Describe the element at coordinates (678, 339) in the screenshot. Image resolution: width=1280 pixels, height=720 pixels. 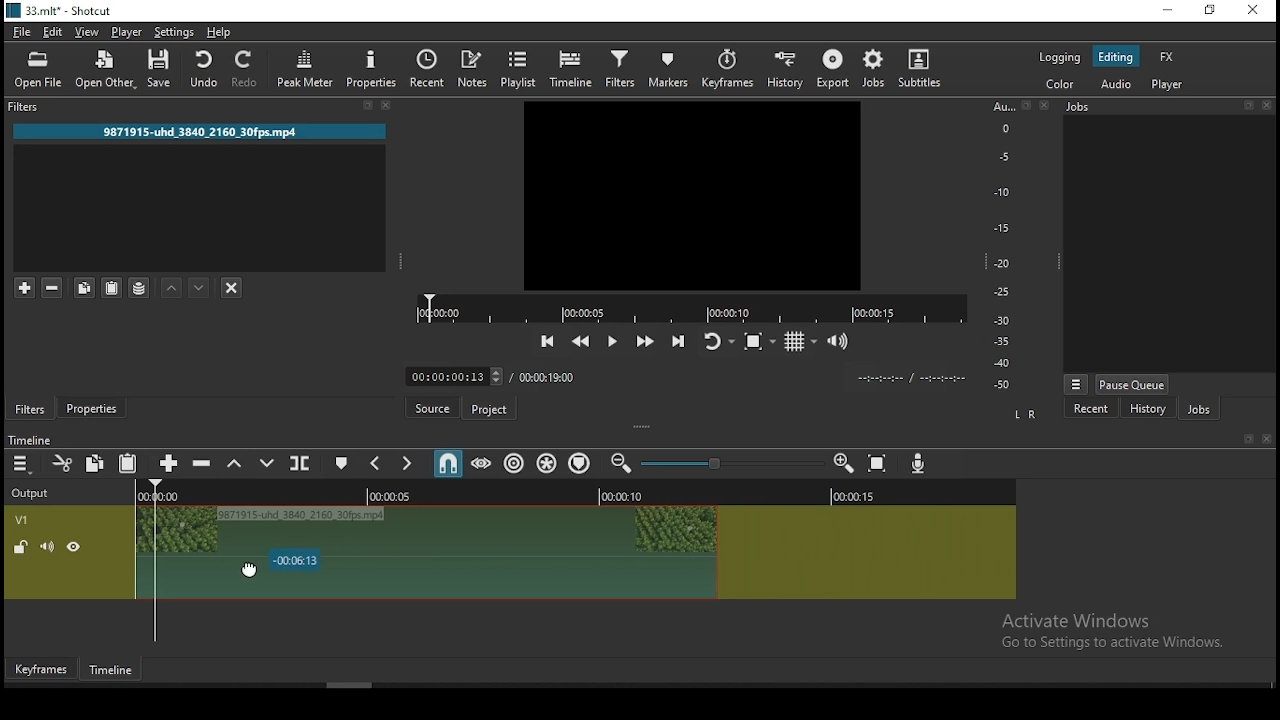
I see `skip to next point` at that location.